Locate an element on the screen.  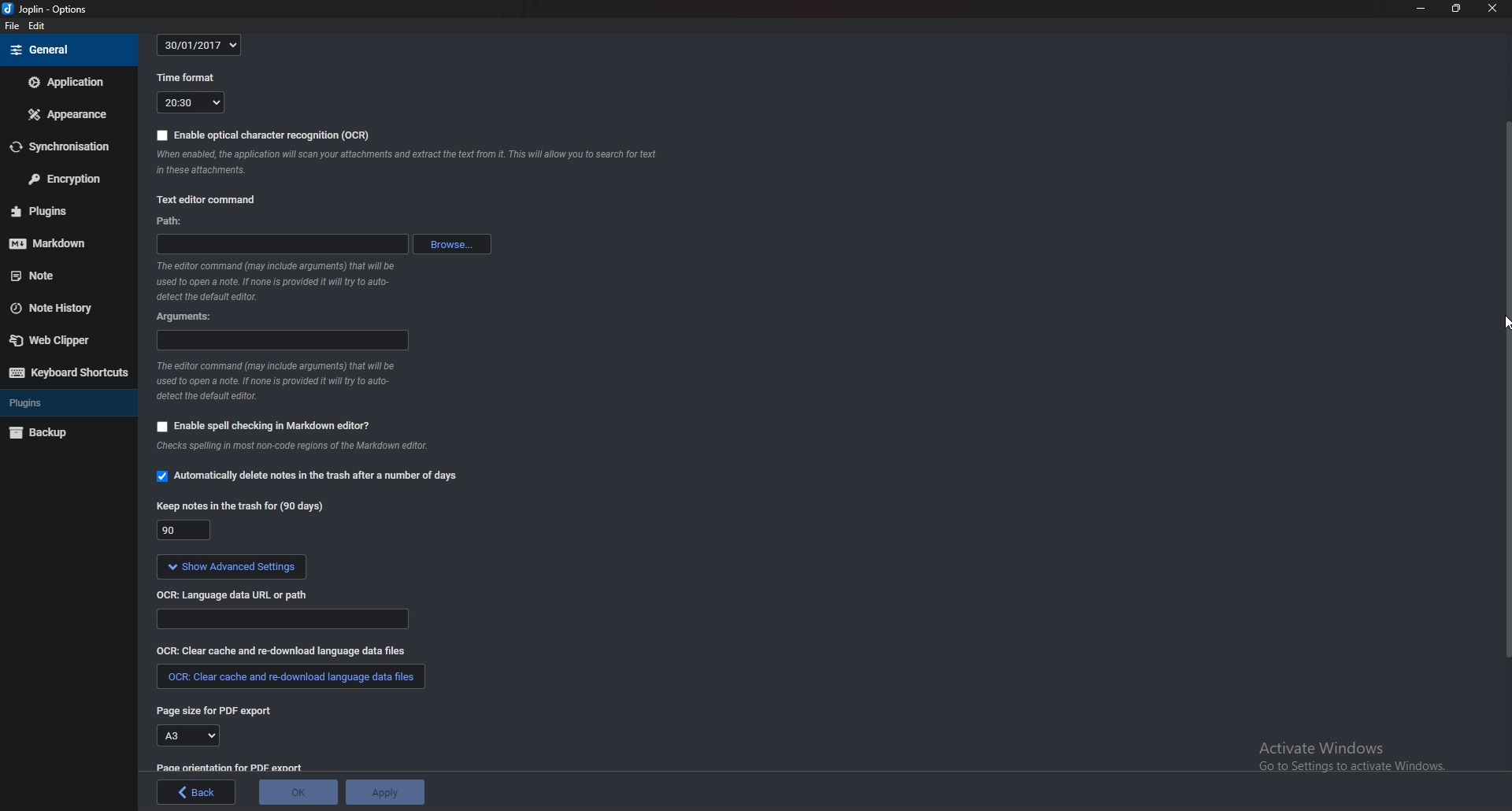
Plugins is located at coordinates (66, 402).